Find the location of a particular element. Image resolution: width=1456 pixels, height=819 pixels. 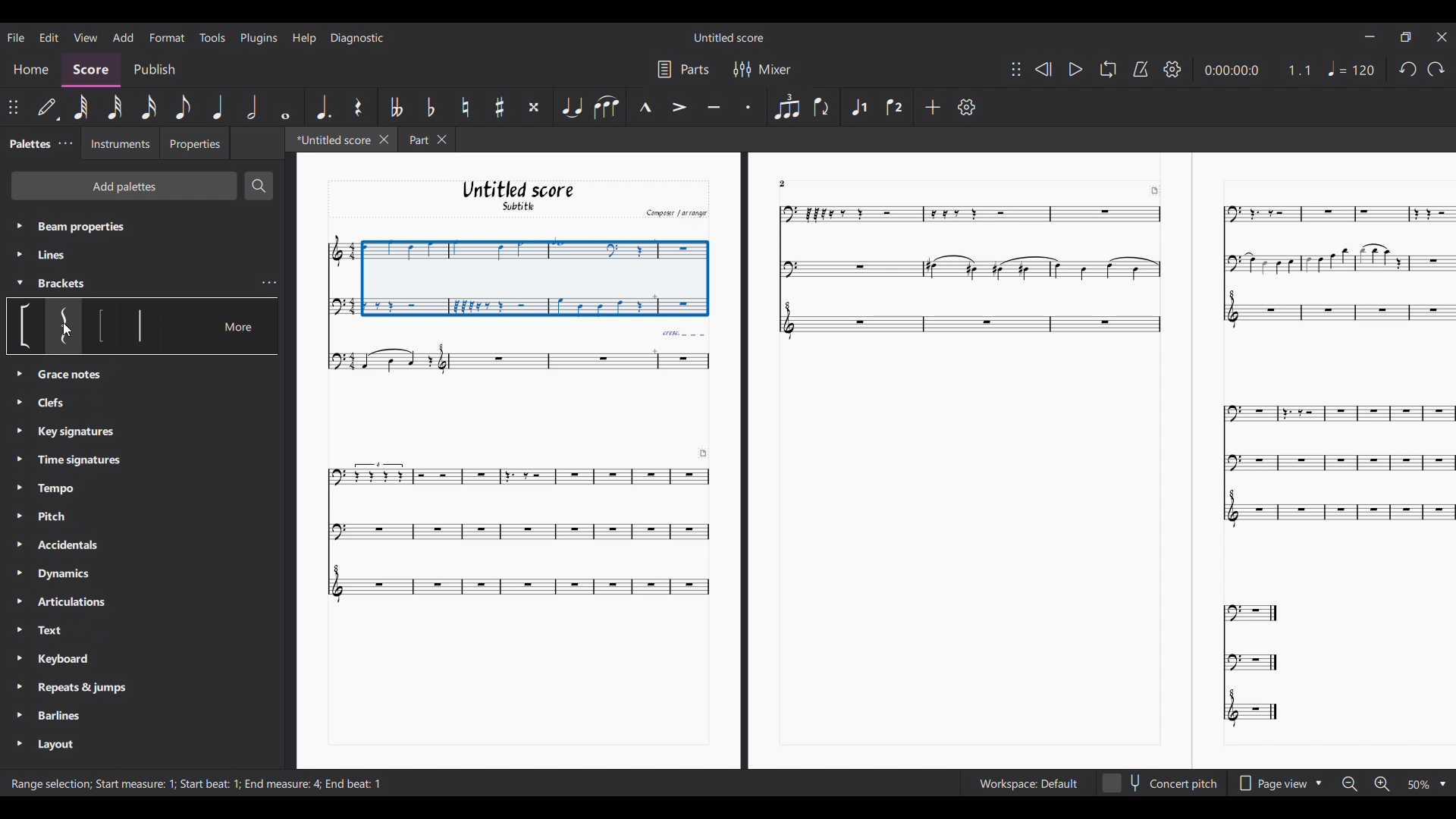

Settings is located at coordinates (1173, 69).